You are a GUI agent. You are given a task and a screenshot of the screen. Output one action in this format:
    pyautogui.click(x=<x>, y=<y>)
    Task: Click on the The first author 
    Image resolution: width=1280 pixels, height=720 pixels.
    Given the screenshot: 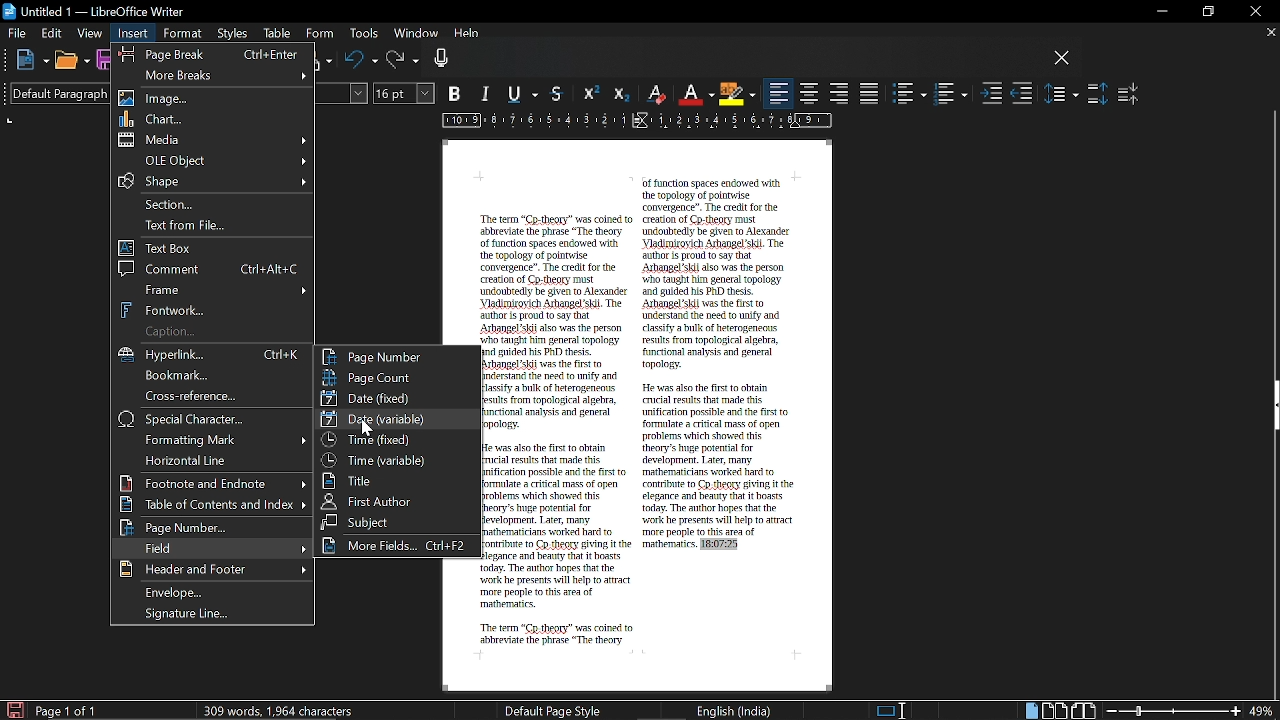 What is the action you would take?
    pyautogui.click(x=397, y=501)
    